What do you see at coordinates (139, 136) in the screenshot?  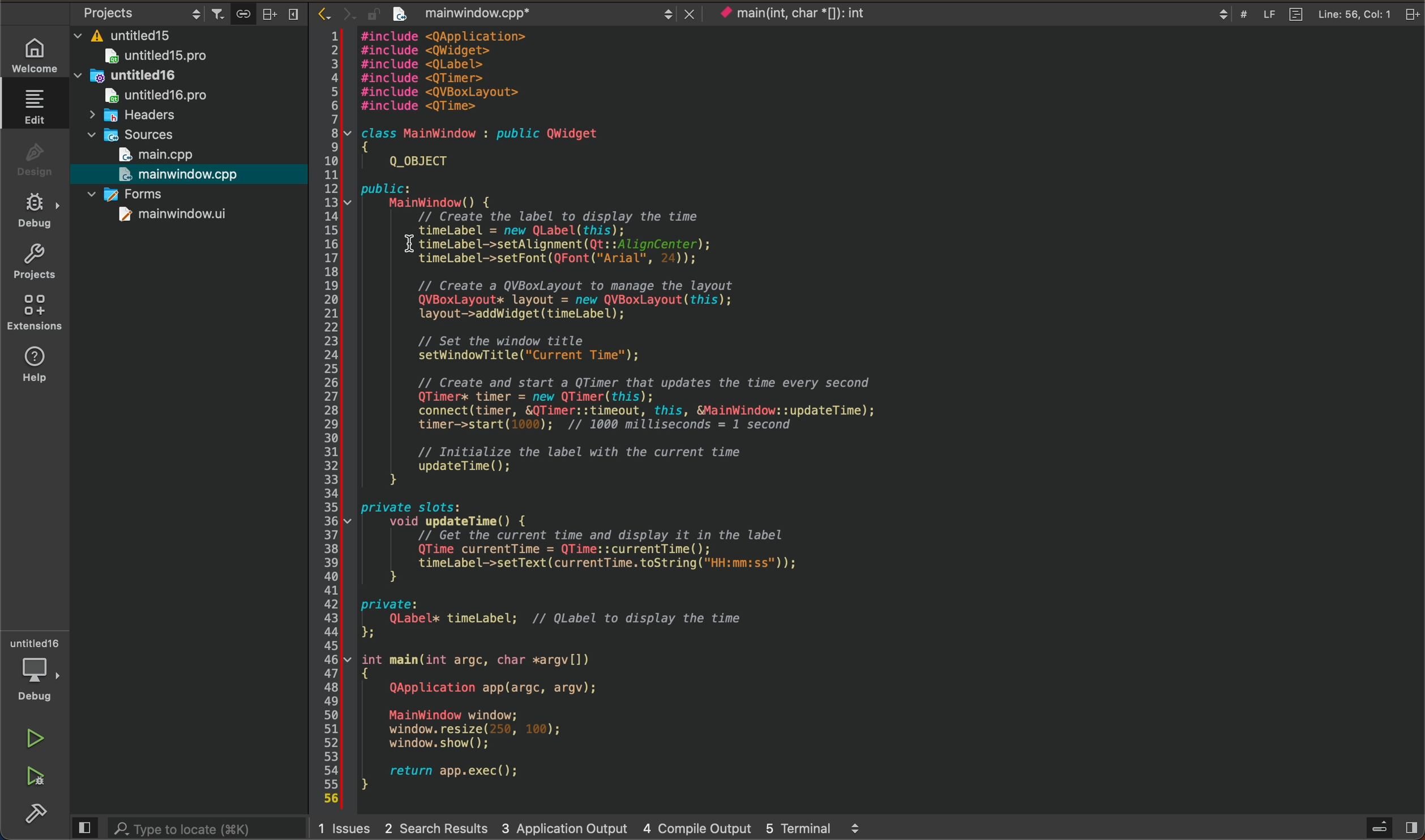 I see `sources` at bounding box center [139, 136].